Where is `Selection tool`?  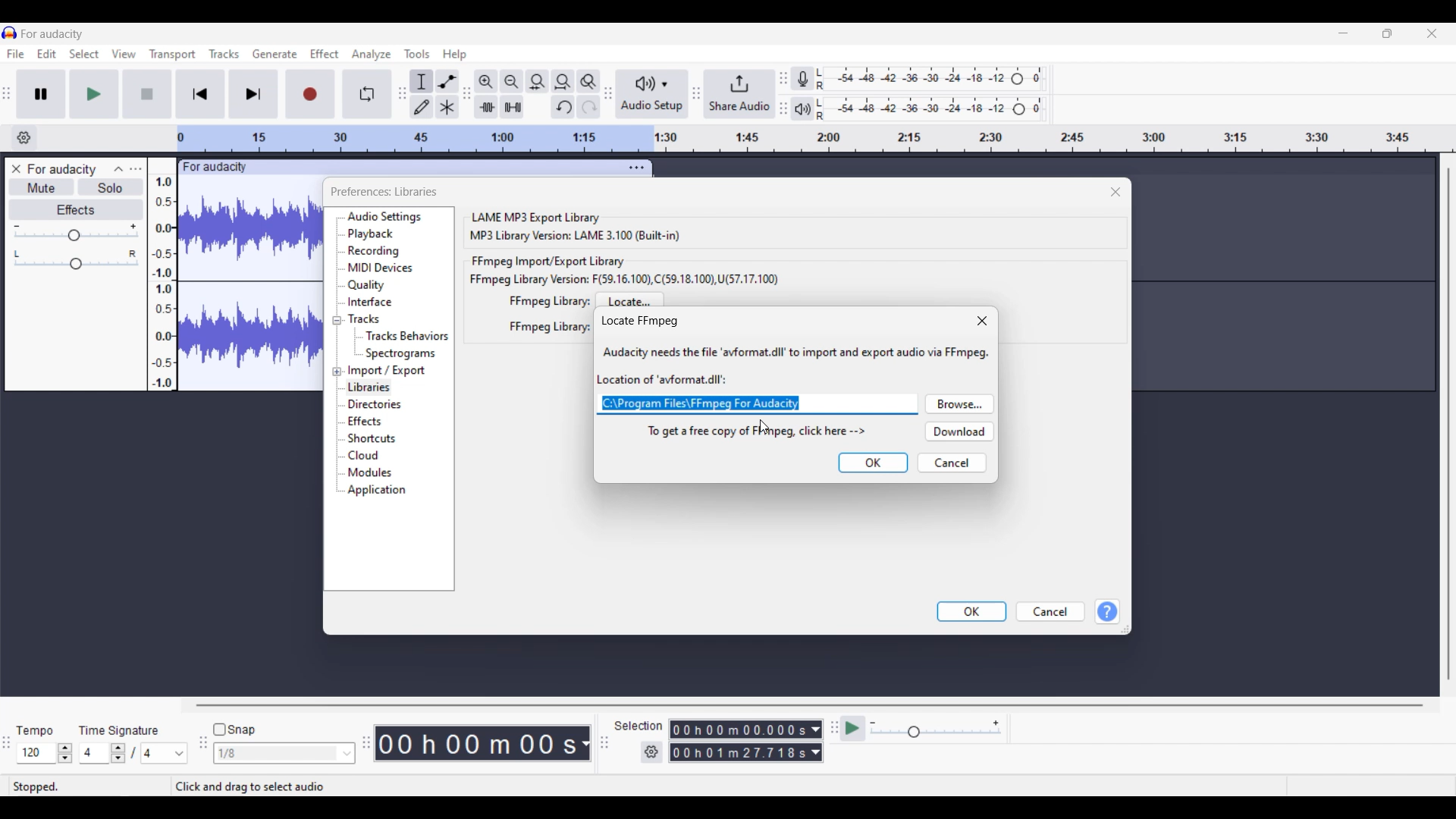 Selection tool is located at coordinates (421, 82).